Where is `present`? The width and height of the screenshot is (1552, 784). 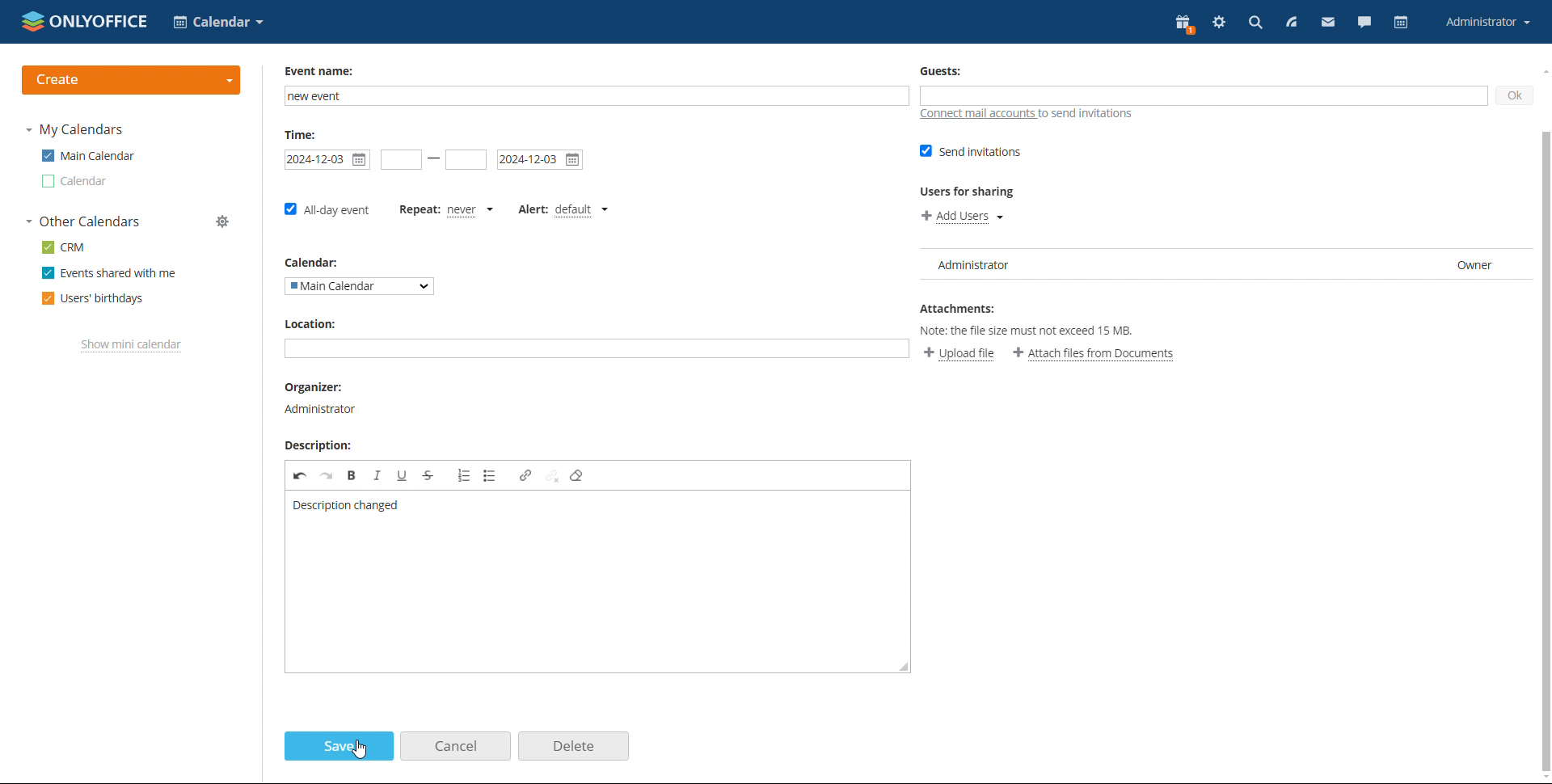
present is located at coordinates (1185, 24).